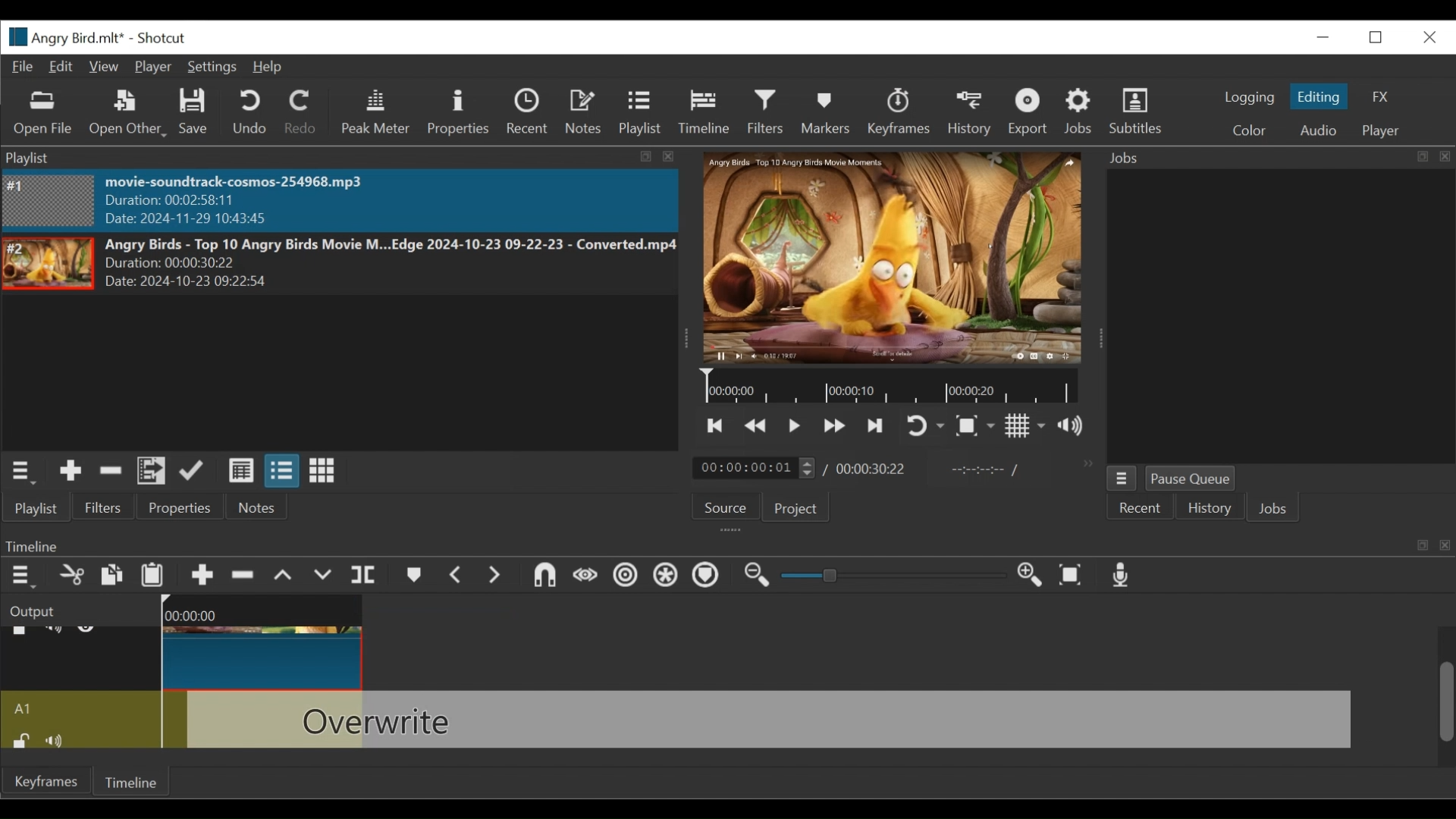  What do you see at coordinates (794, 508) in the screenshot?
I see `Project` at bounding box center [794, 508].